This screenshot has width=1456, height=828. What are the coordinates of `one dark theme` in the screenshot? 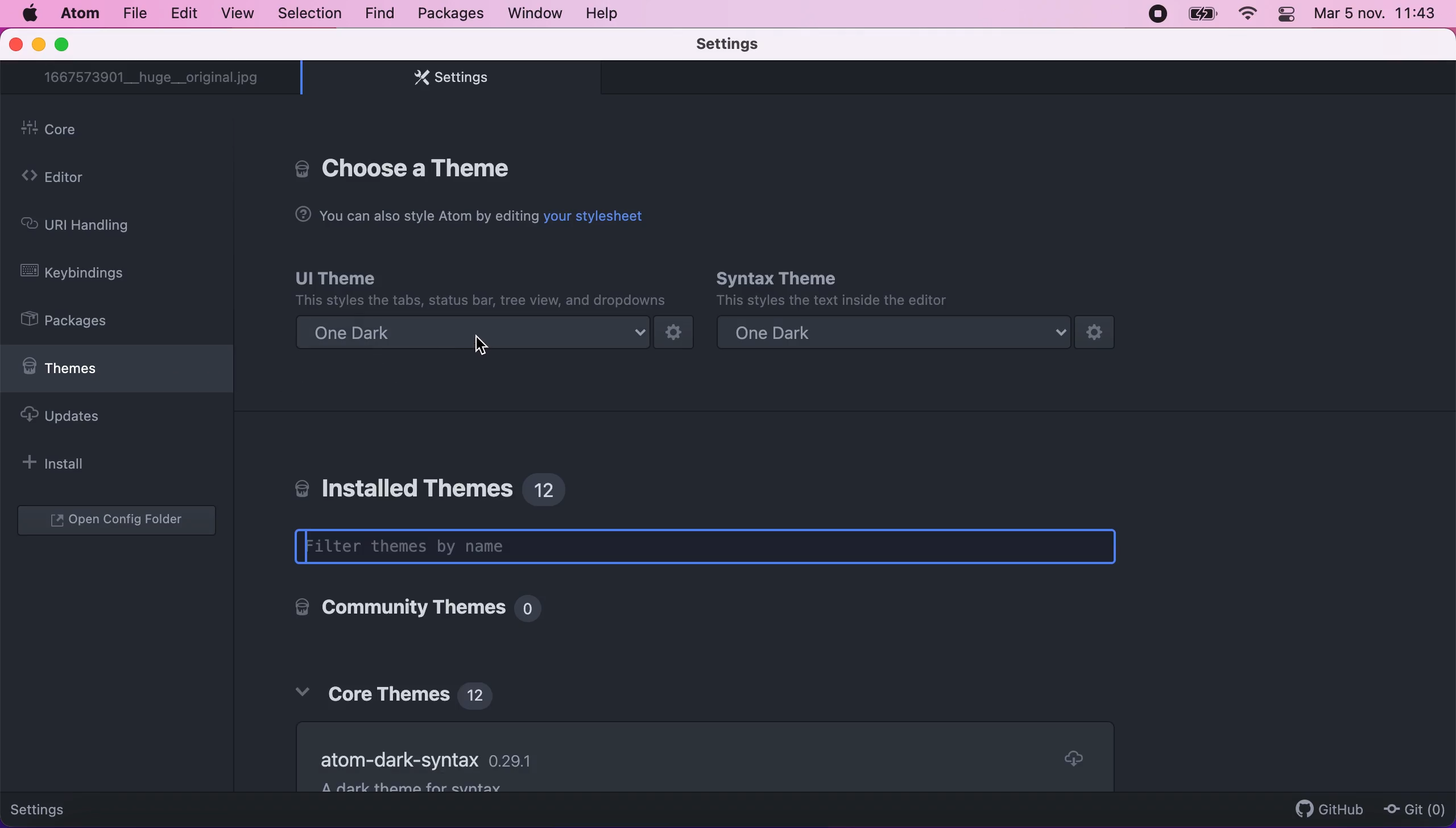 It's located at (913, 334).